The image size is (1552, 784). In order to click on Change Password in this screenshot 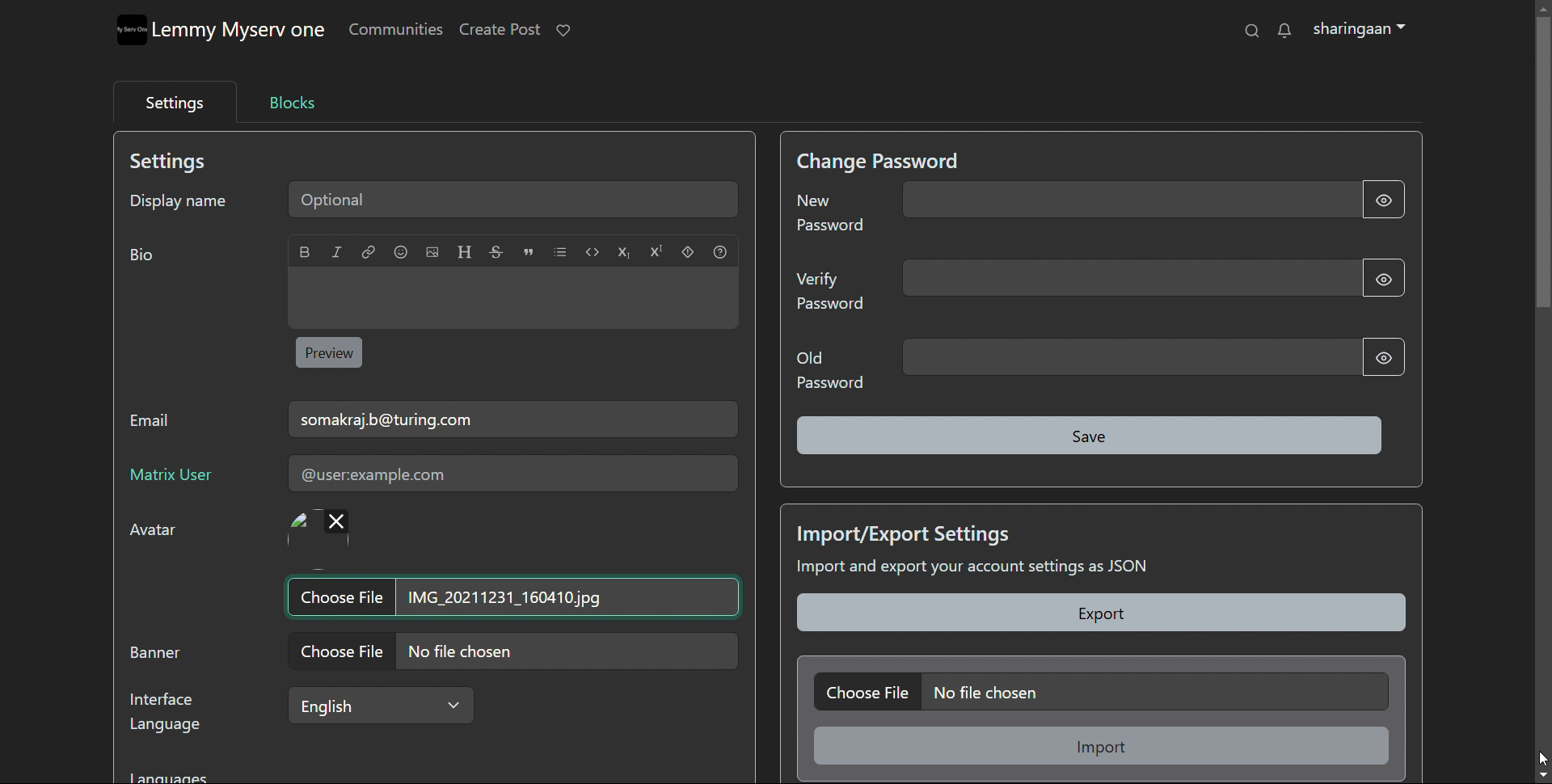, I will do `click(883, 160)`.